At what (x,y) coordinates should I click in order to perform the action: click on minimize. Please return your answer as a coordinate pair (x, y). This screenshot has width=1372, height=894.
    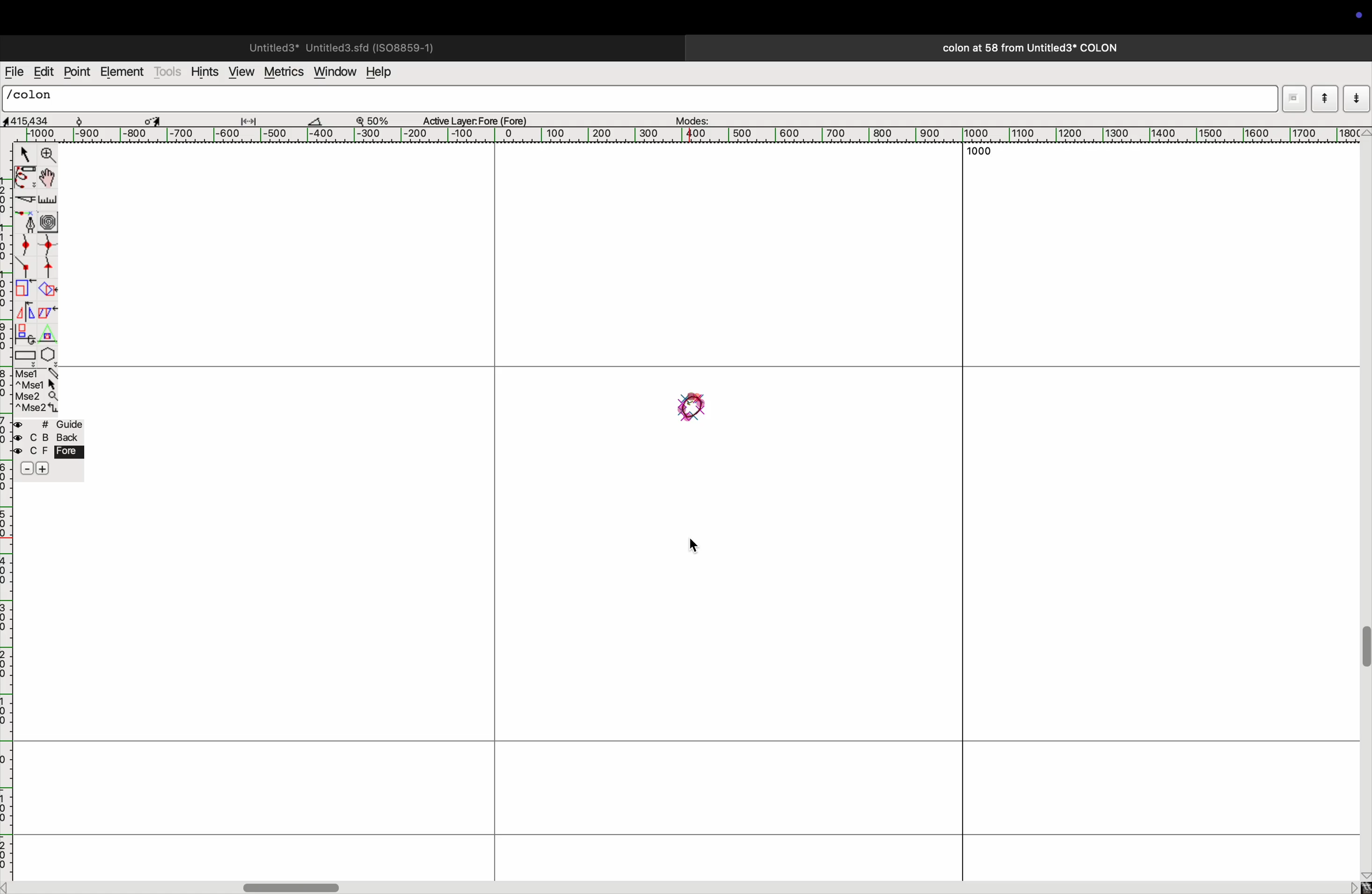
    Looking at the image, I should click on (24, 290).